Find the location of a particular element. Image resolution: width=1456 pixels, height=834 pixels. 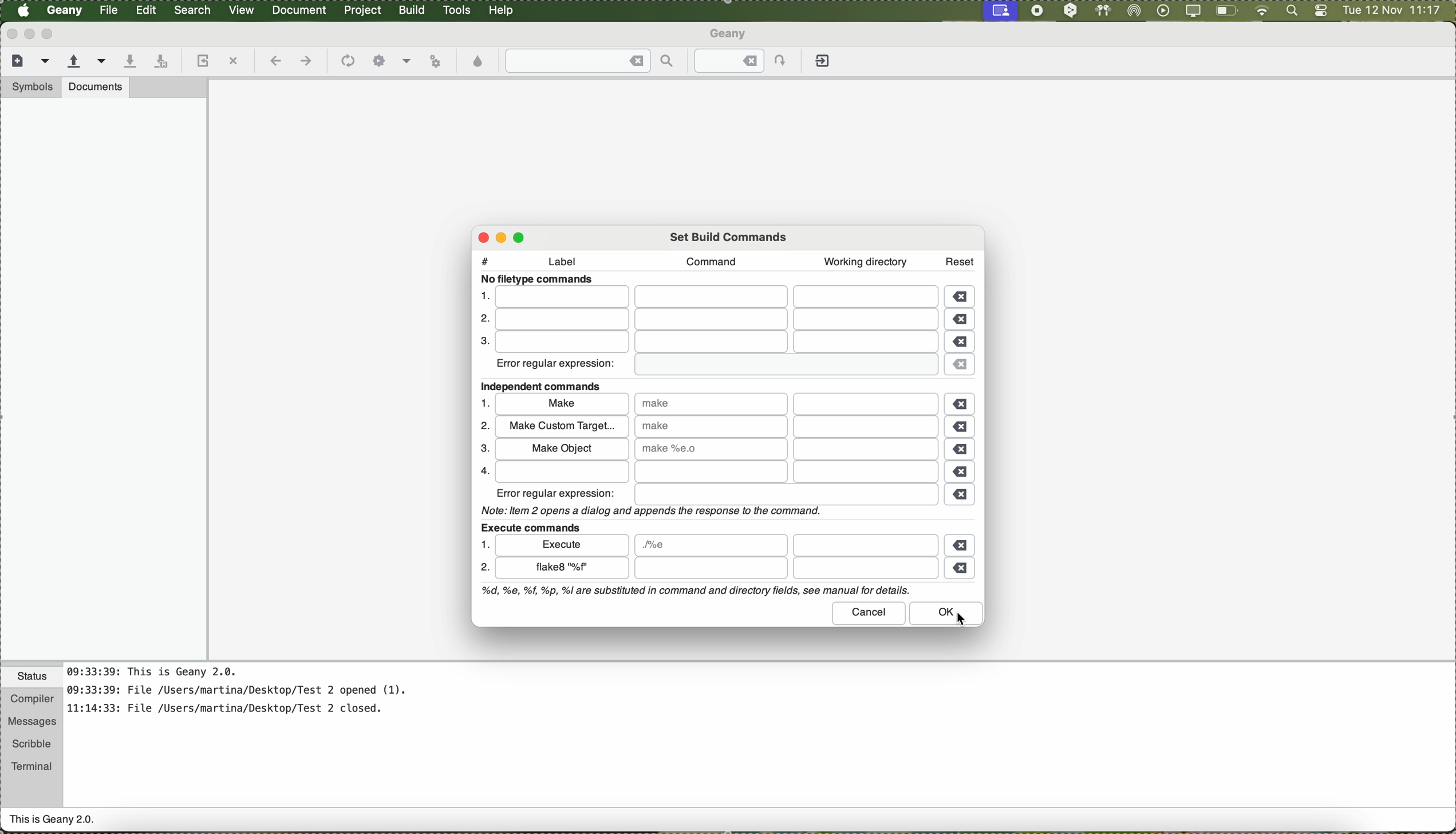

make custom target is located at coordinates (561, 426).